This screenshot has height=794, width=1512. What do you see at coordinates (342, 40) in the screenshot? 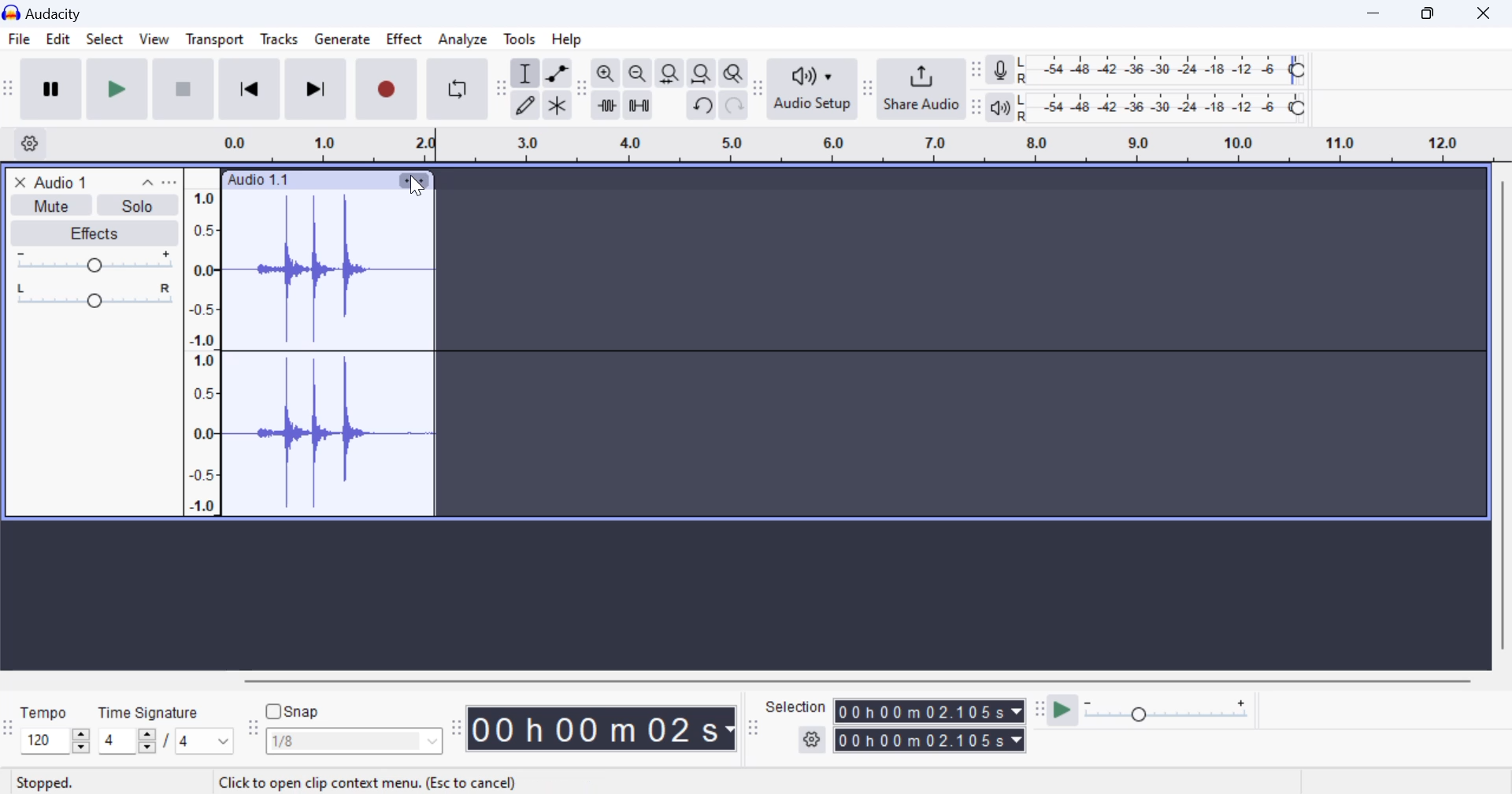
I see `Generate` at bounding box center [342, 40].